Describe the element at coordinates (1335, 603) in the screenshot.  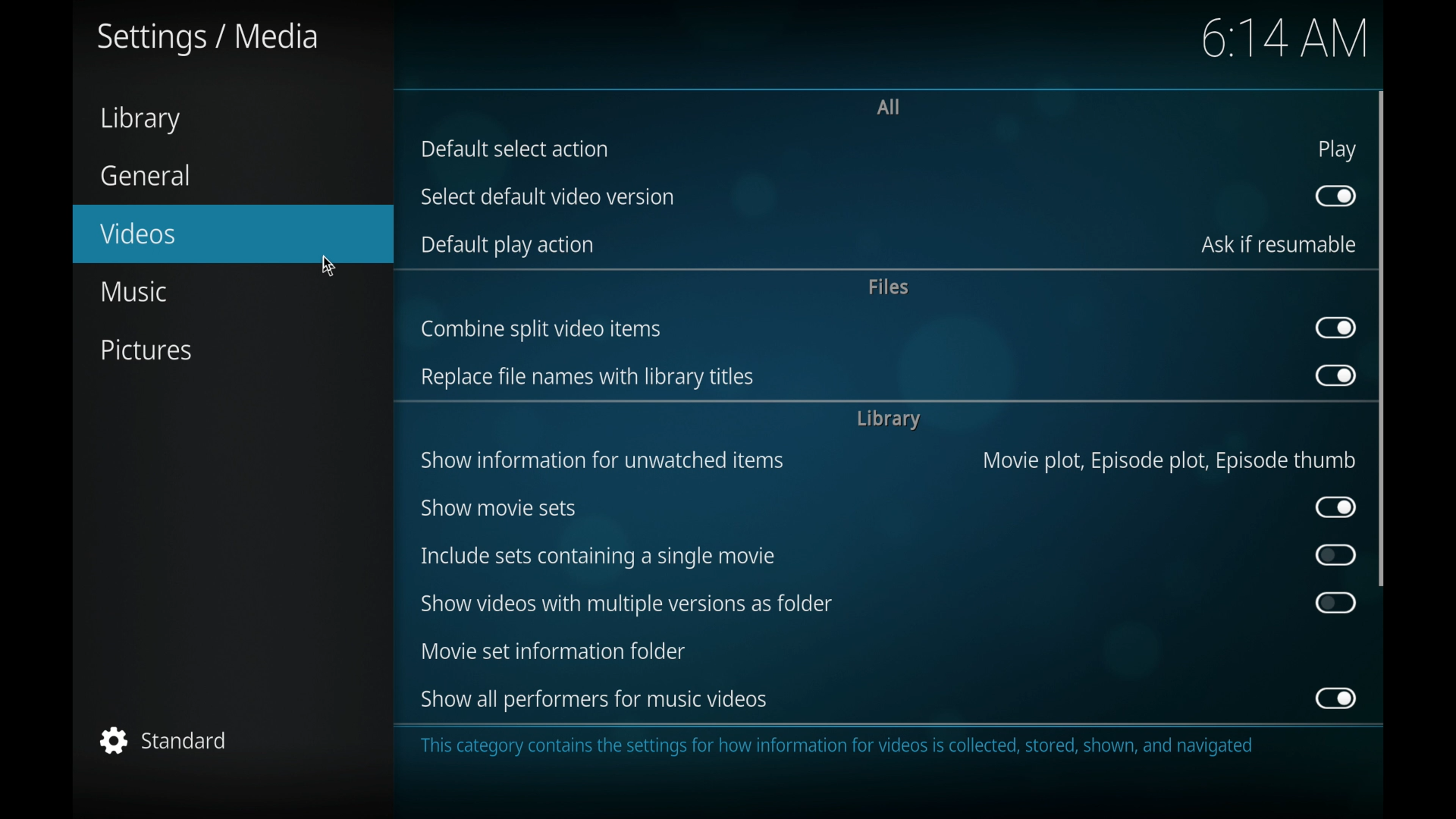
I see `toggle button` at that location.